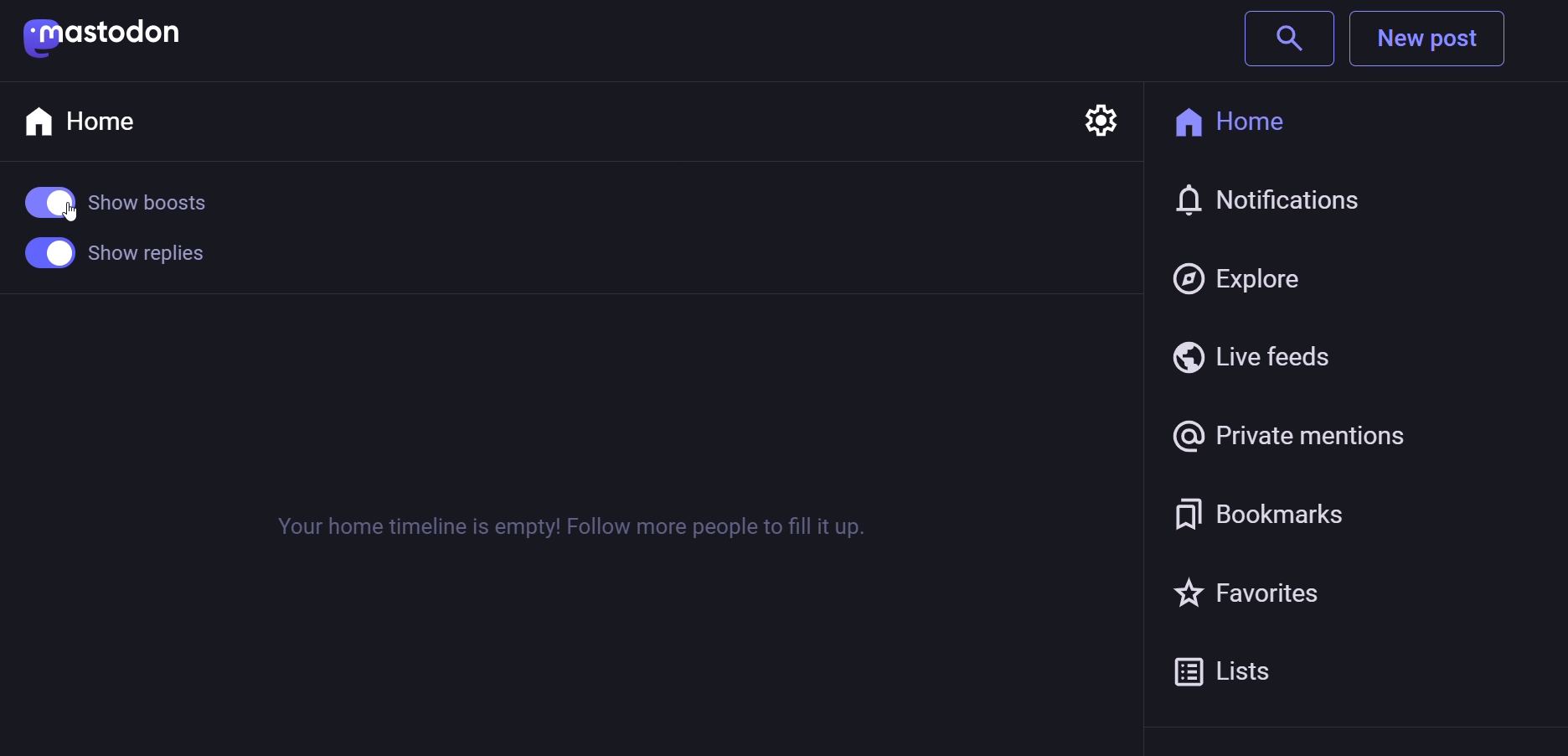  Describe the element at coordinates (103, 122) in the screenshot. I see `Home` at that location.